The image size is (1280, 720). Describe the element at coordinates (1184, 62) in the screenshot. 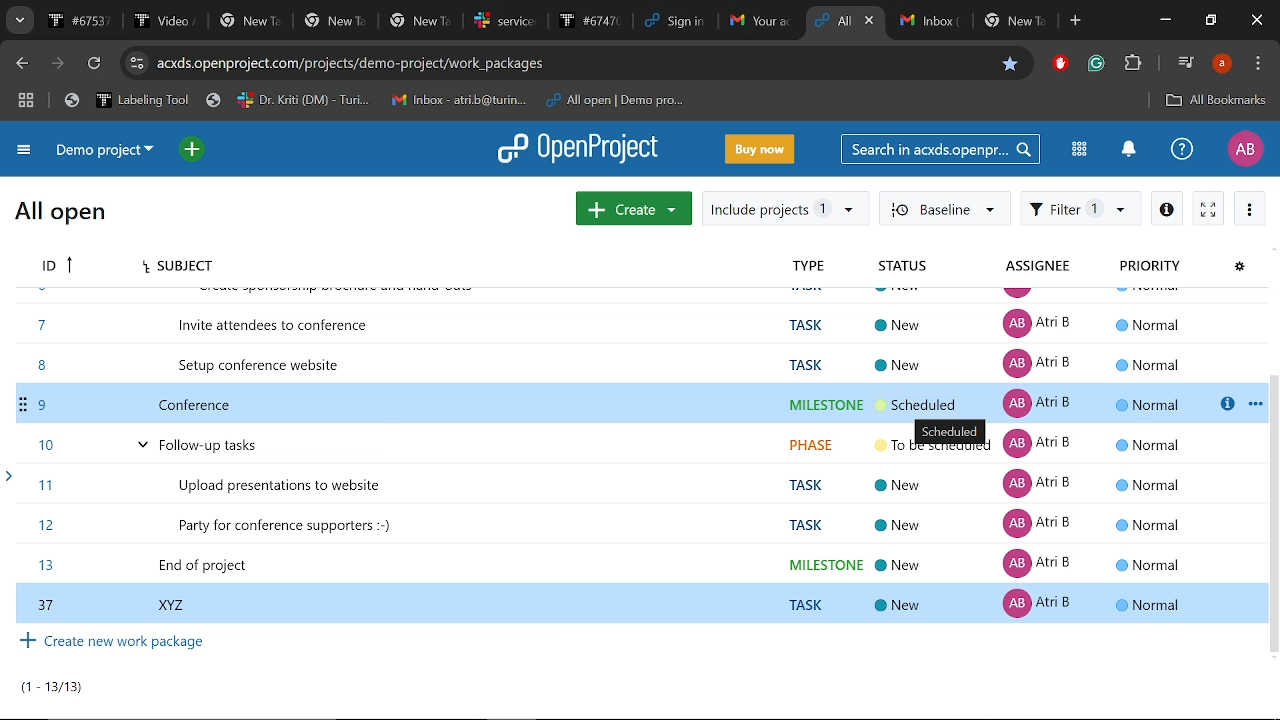

I see `Control your musci videos and more` at that location.